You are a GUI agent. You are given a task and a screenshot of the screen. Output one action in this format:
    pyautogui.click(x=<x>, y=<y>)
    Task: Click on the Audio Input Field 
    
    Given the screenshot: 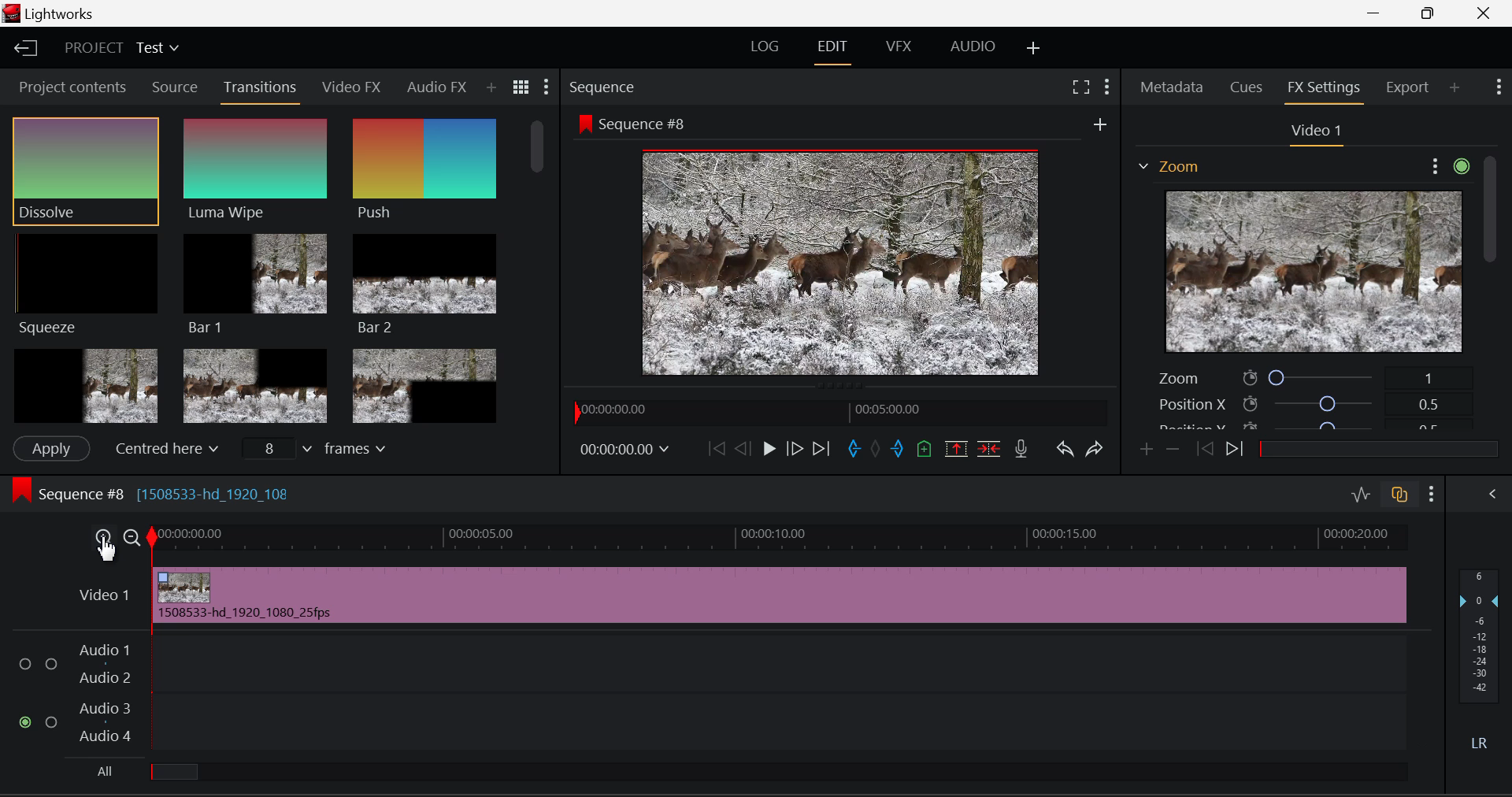 What is the action you would take?
    pyautogui.click(x=778, y=662)
    